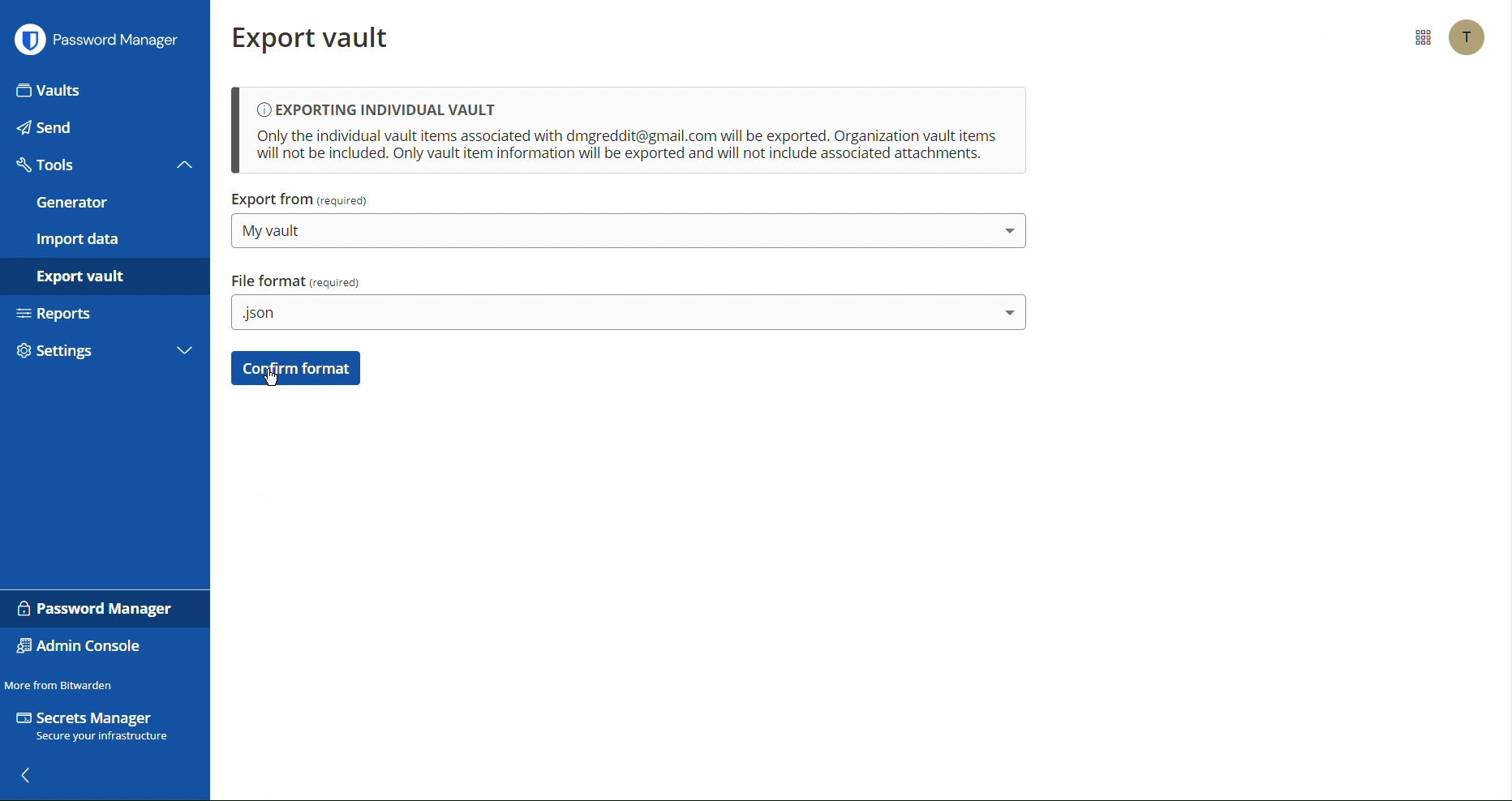  What do you see at coordinates (98, 89) in the screenshot?
I see `` at bounding box center [98, 89].